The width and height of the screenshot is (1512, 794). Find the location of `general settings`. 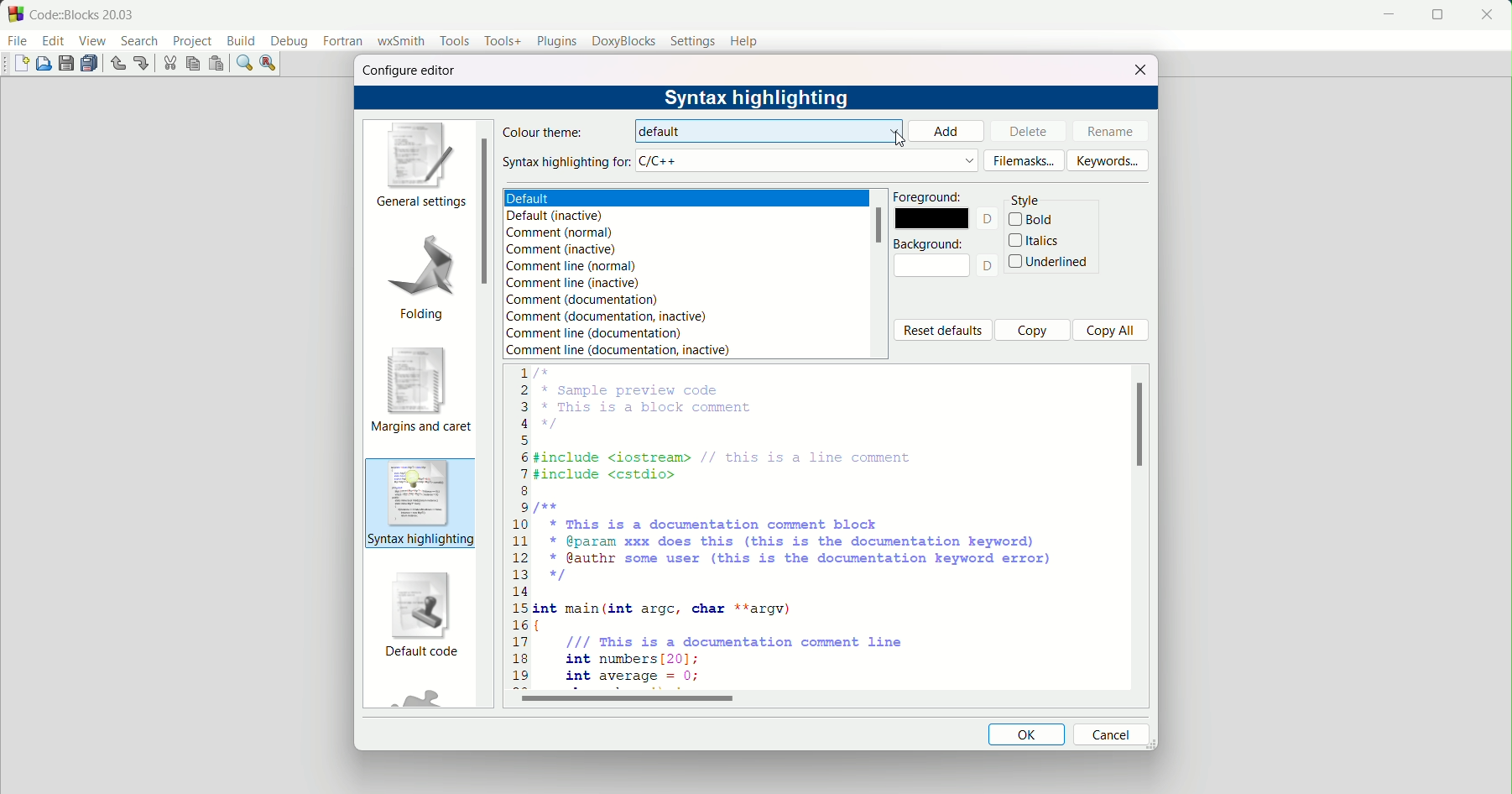

general settings is located at coordinates (418, 165).